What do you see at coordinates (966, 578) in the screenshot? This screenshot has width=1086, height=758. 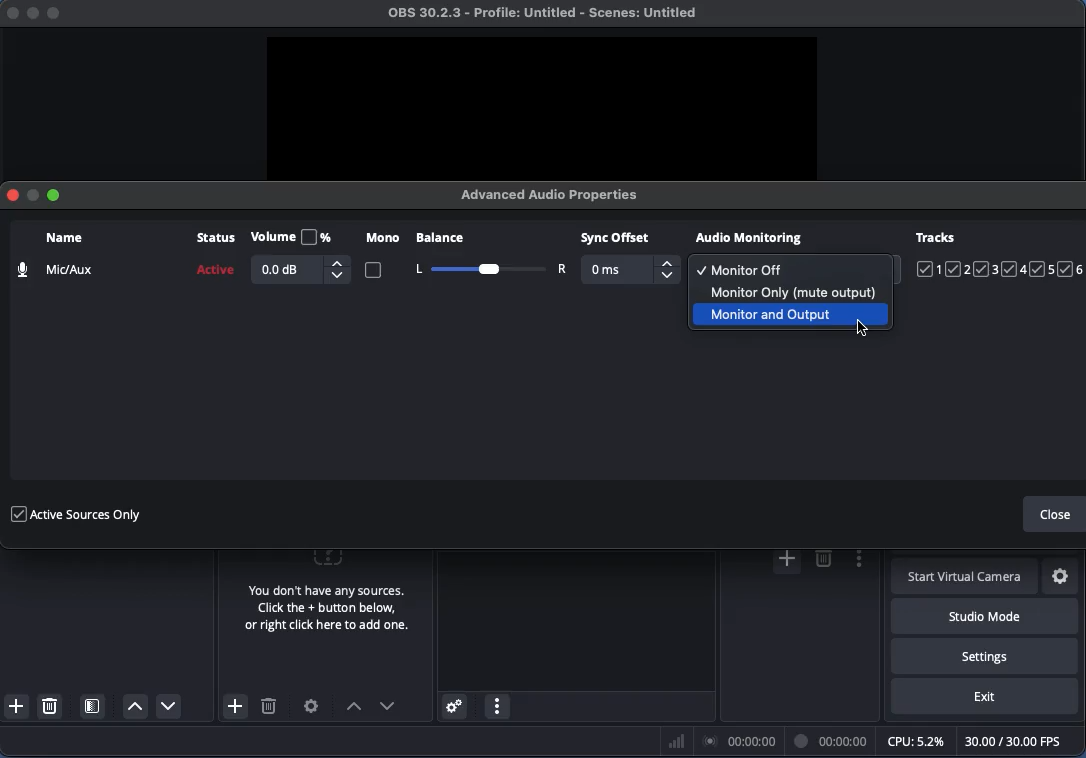 I see `Start virtual camera` at bounding box center [966, 578].